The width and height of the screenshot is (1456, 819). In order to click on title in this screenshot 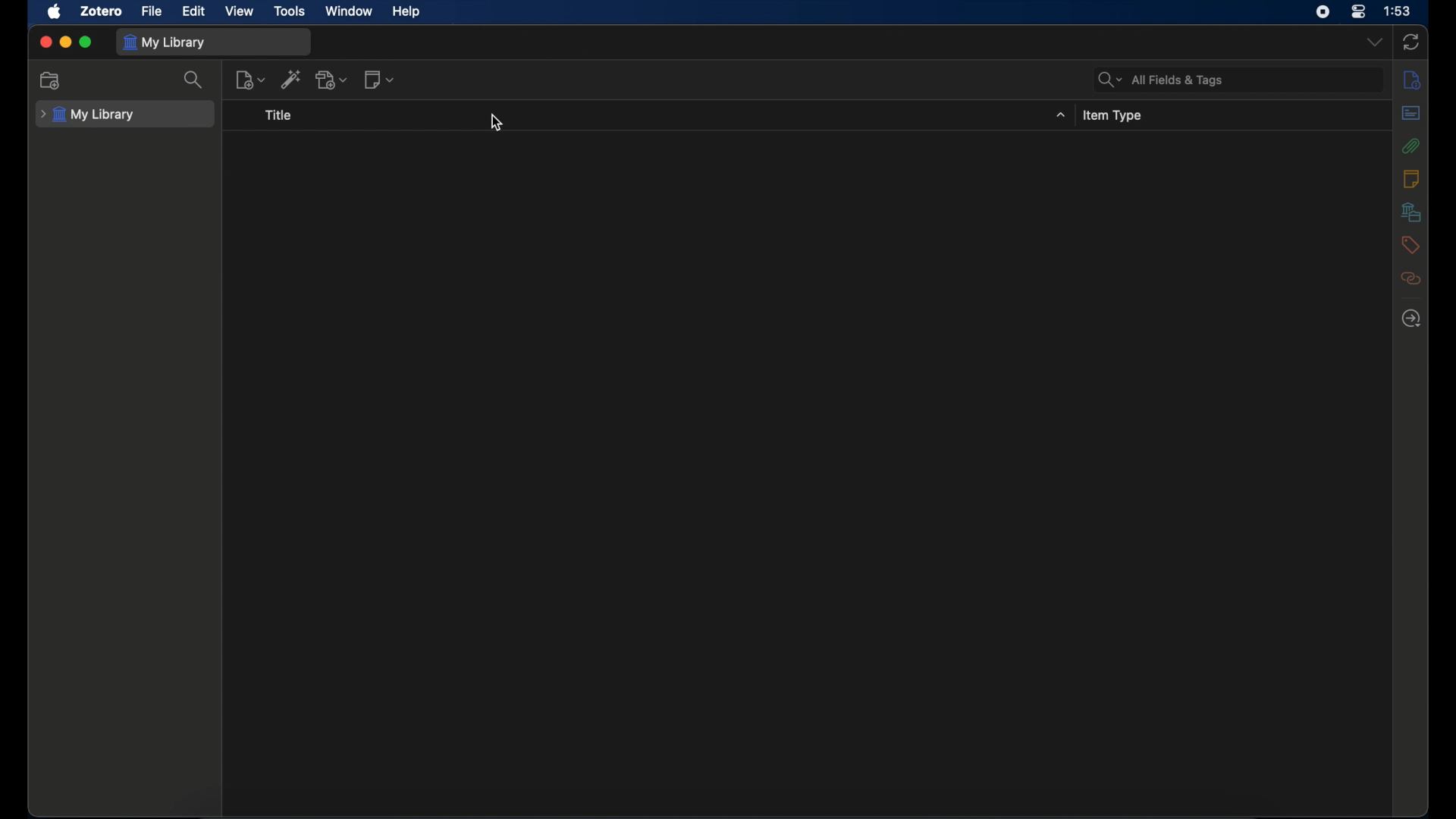, I will do `click(281, 115)`.